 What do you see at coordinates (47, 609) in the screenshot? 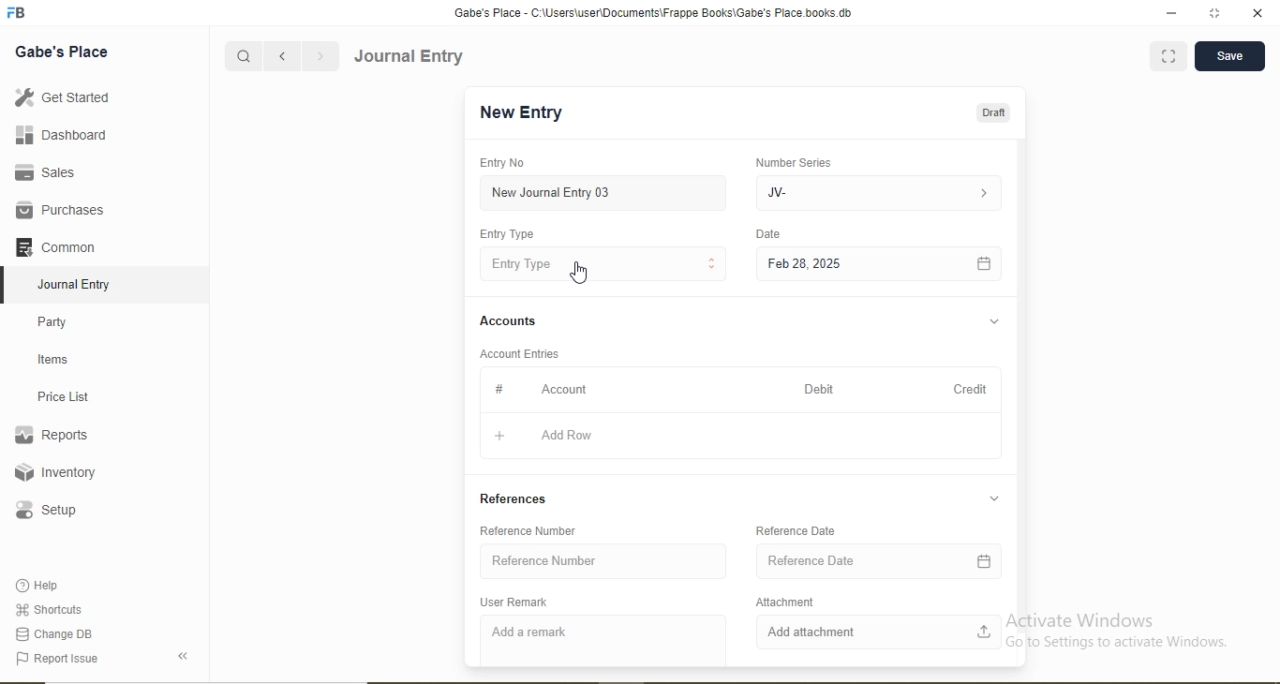
I see `Shortcuts` at bounding box center [47, 609].